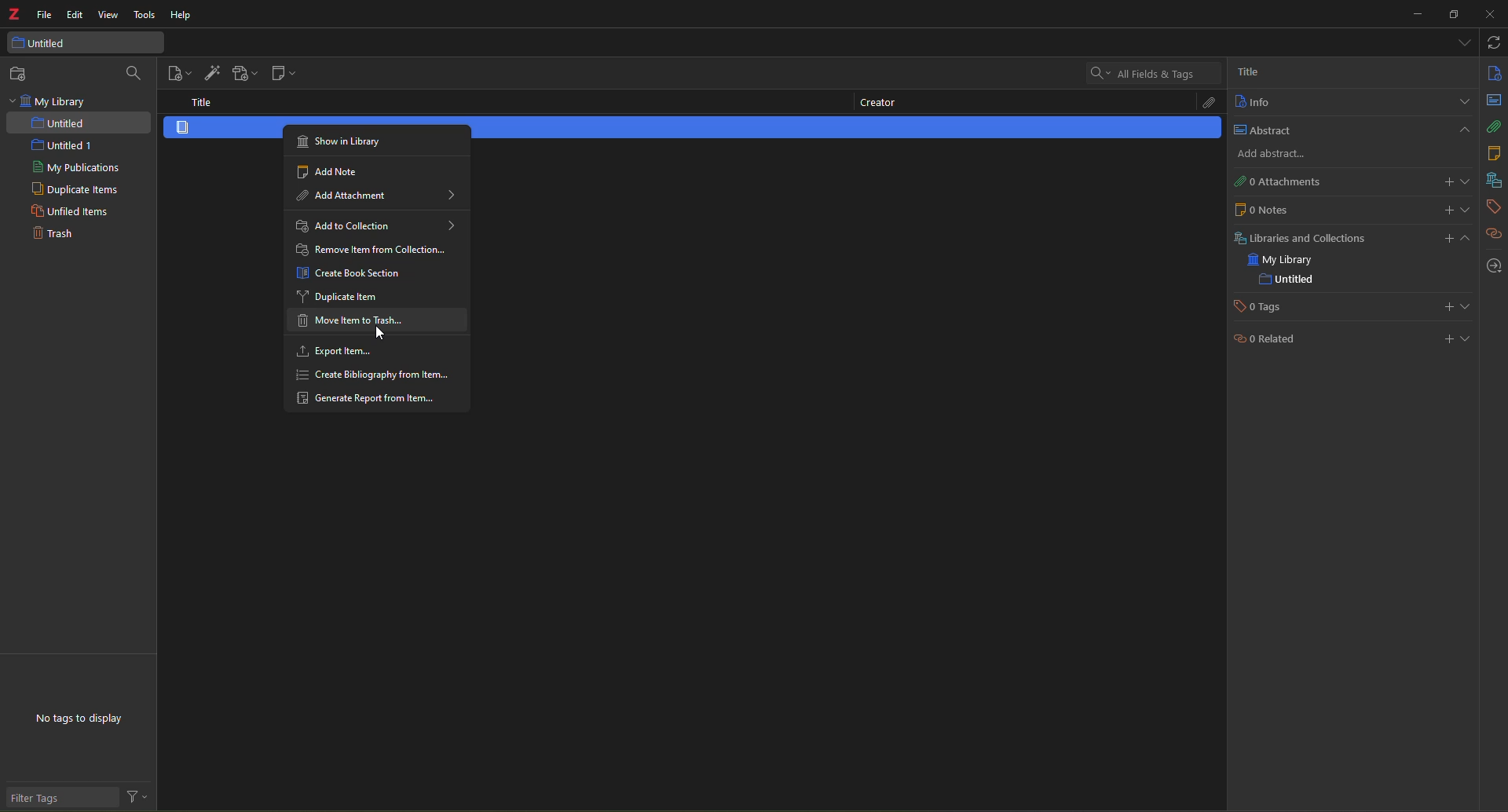 The height and width of the screenshot is (812, 1508). What do you see at coordinates (203, 101) in the screenshot?
I see `title` at bounding box center [203, 101].